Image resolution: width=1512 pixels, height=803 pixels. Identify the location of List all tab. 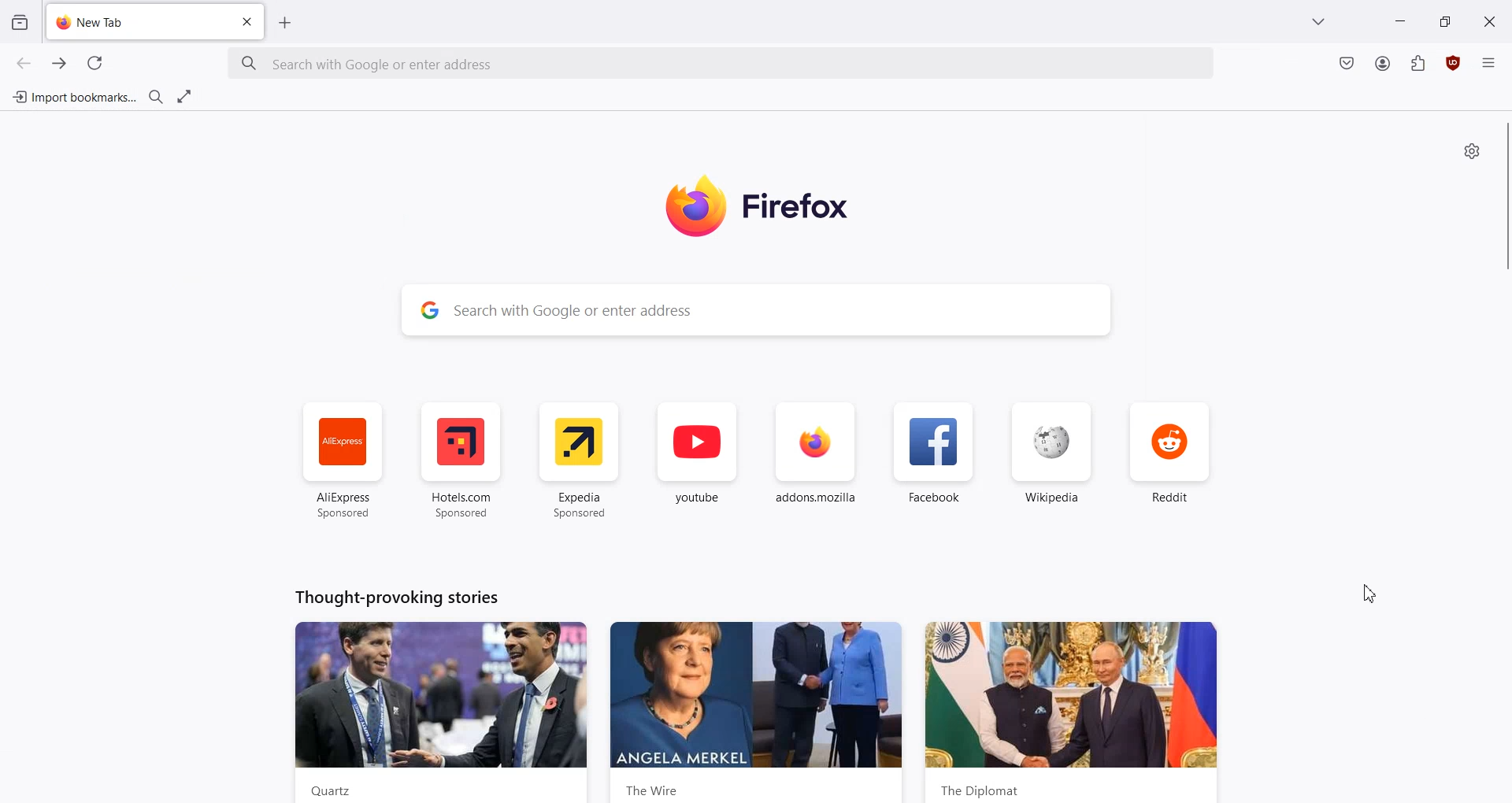
(1318, 20).